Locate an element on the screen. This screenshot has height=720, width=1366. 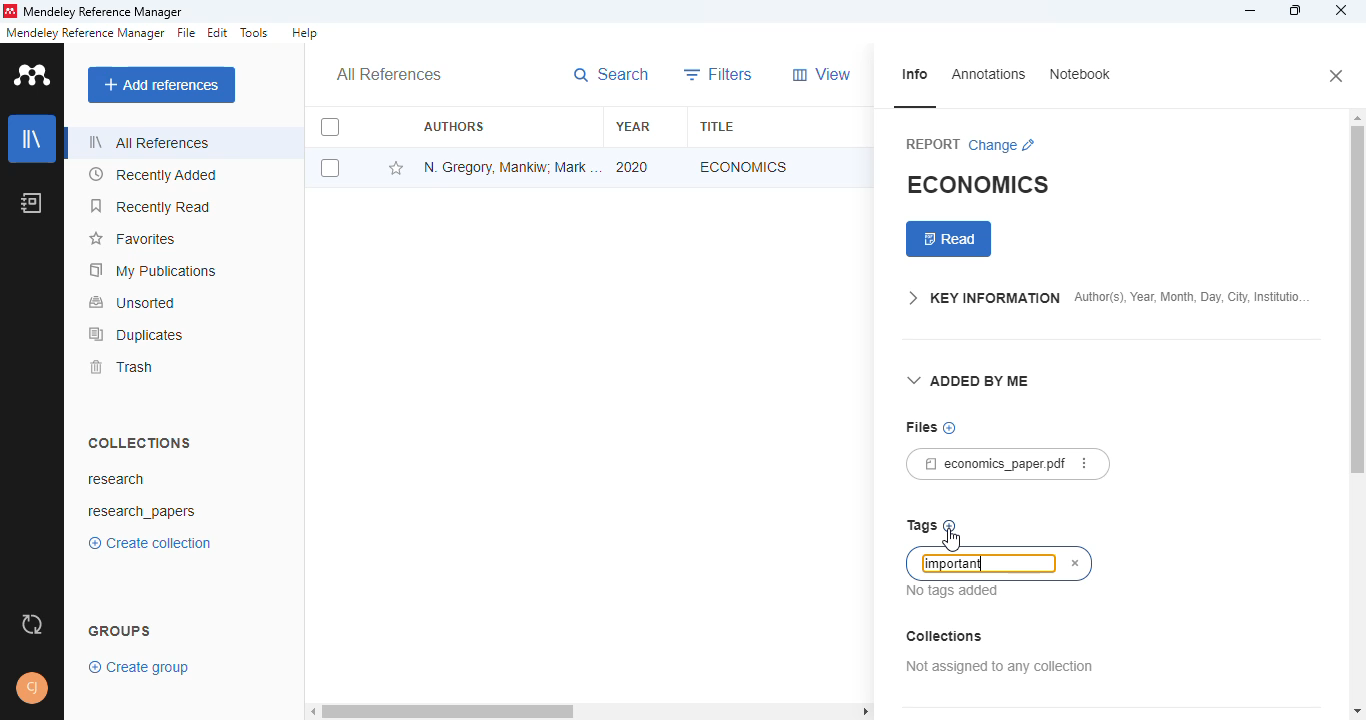
unsorted is located at coordinates (133, 302).